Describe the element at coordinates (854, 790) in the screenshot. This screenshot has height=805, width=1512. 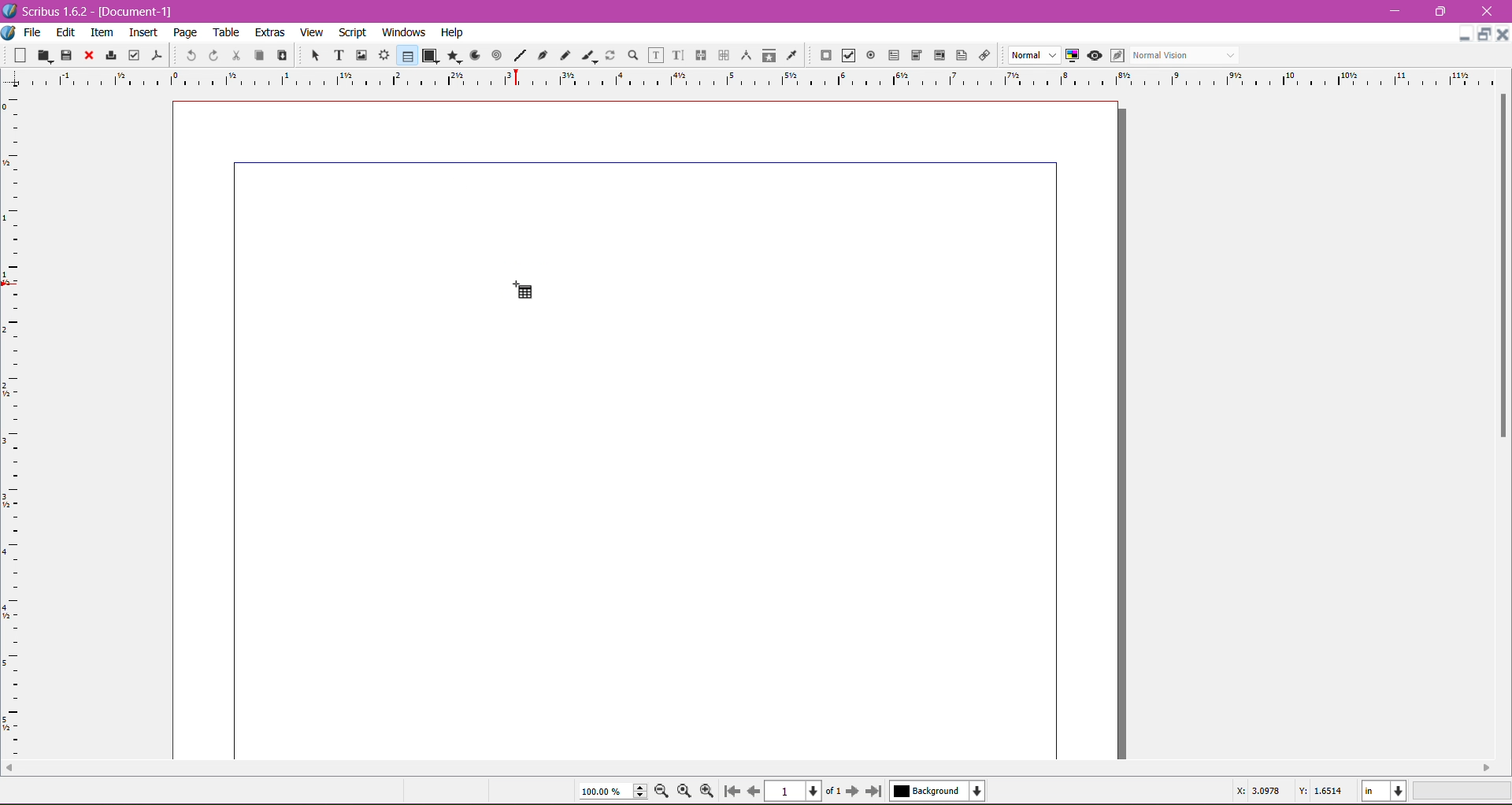
I see `Next Page` at that location.